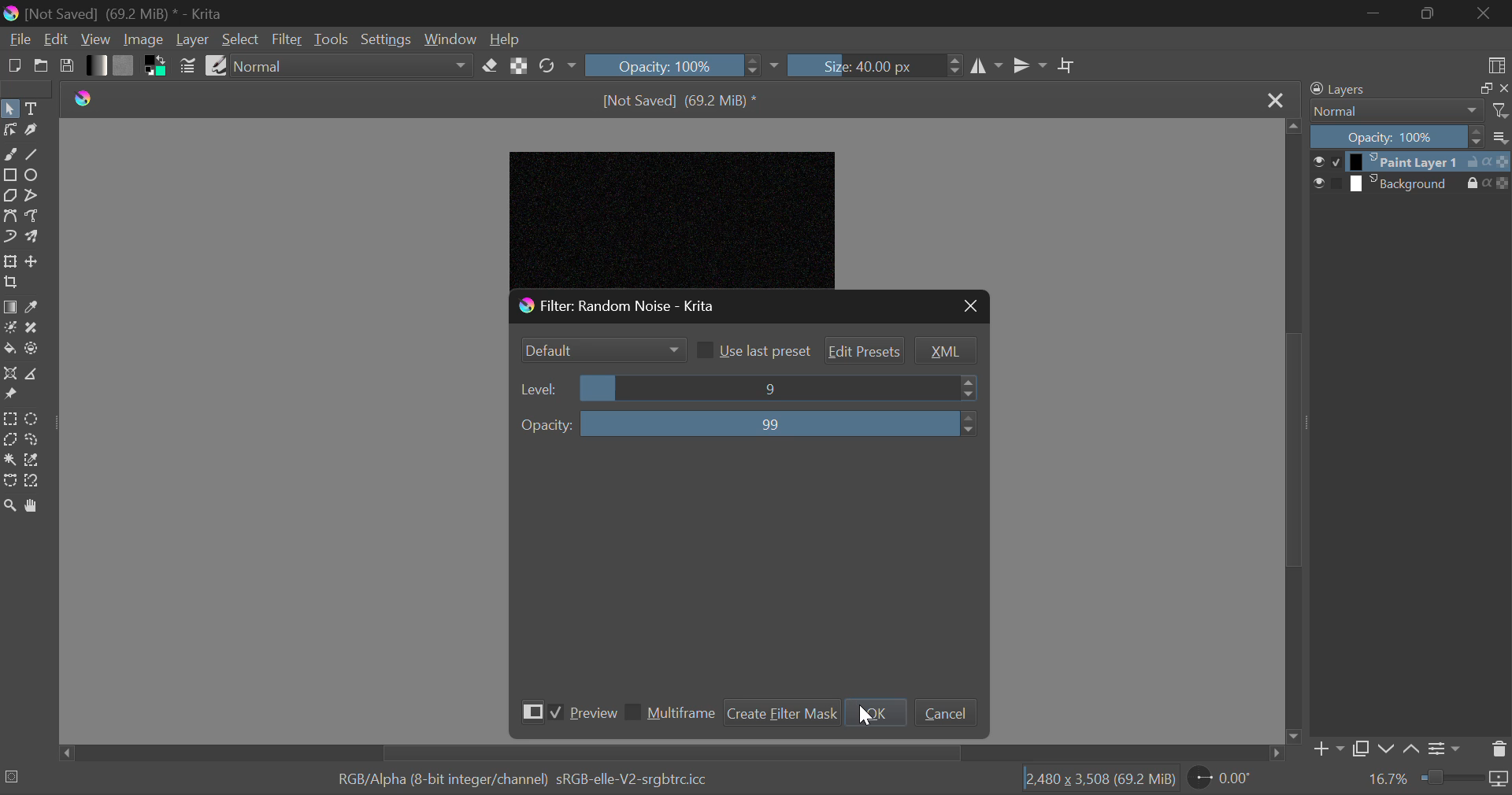 The height and width of the screenshot is (795, 1512). I want to click on level, so click(540, 390).